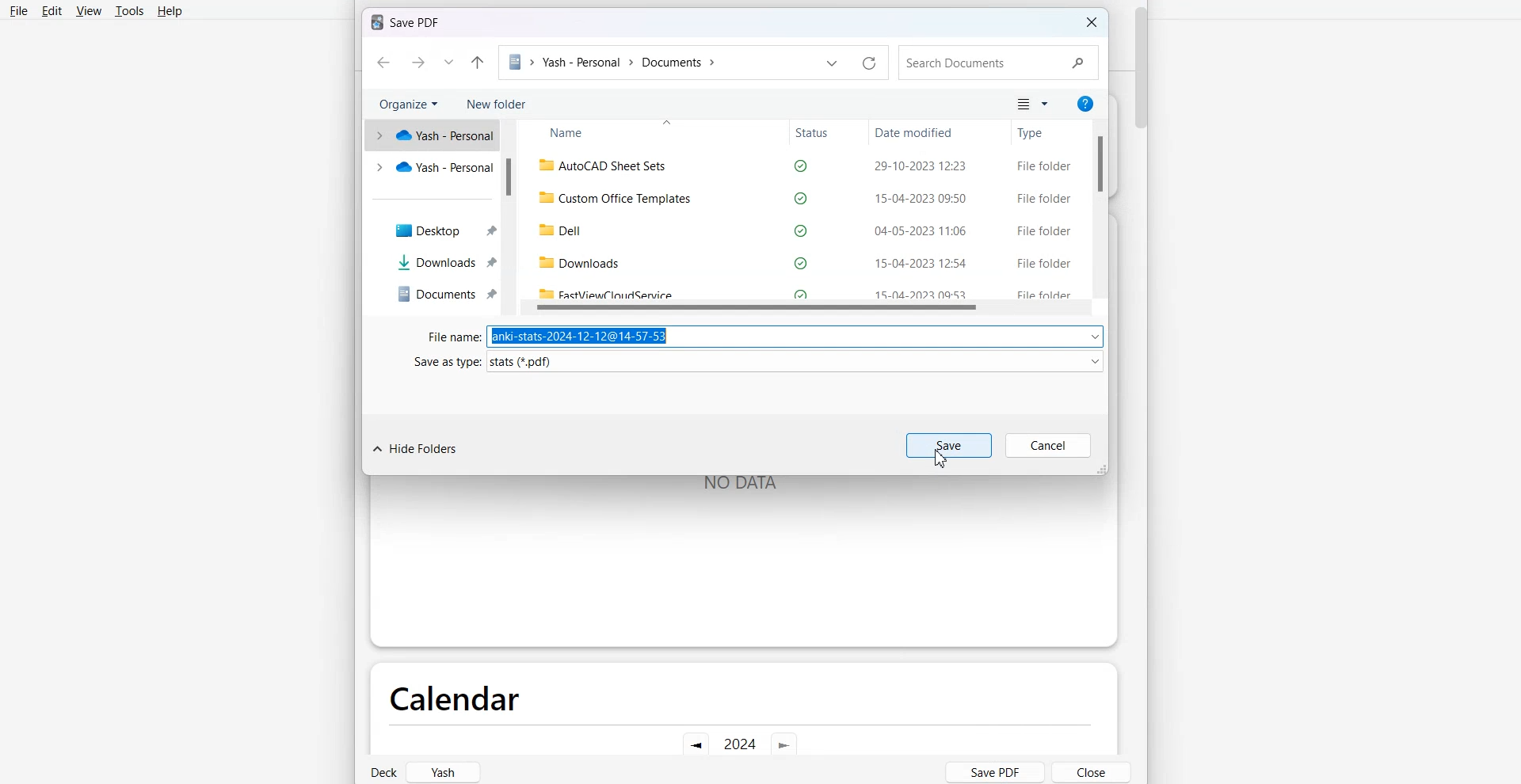  What do you see at coordinates (1034, 104) in the screenshot?
I see `Change Your view` at bounding box center [1034, 104].